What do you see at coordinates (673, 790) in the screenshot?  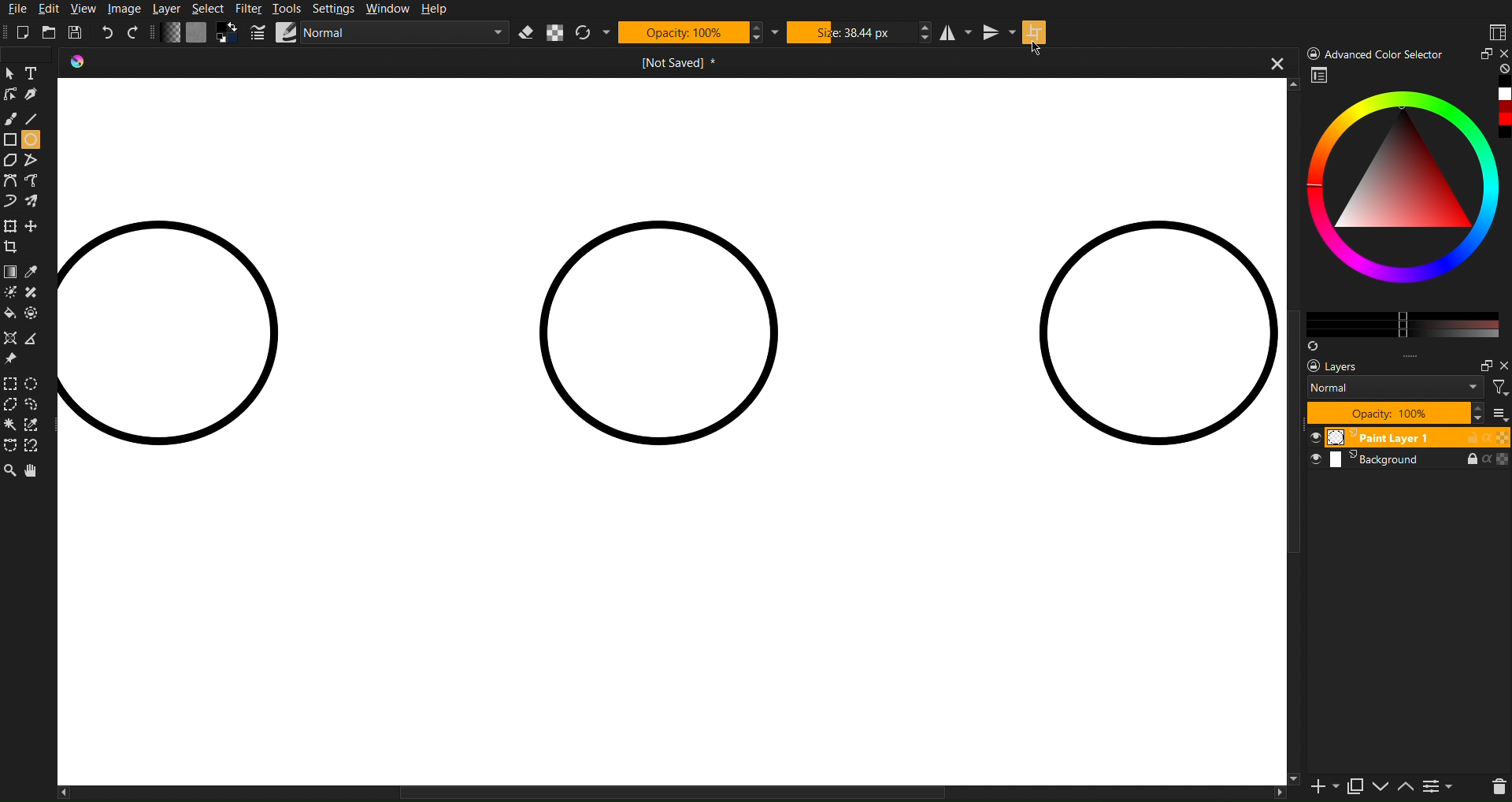 I see `horizontal scrollbar` at bounding box center [673, 790].